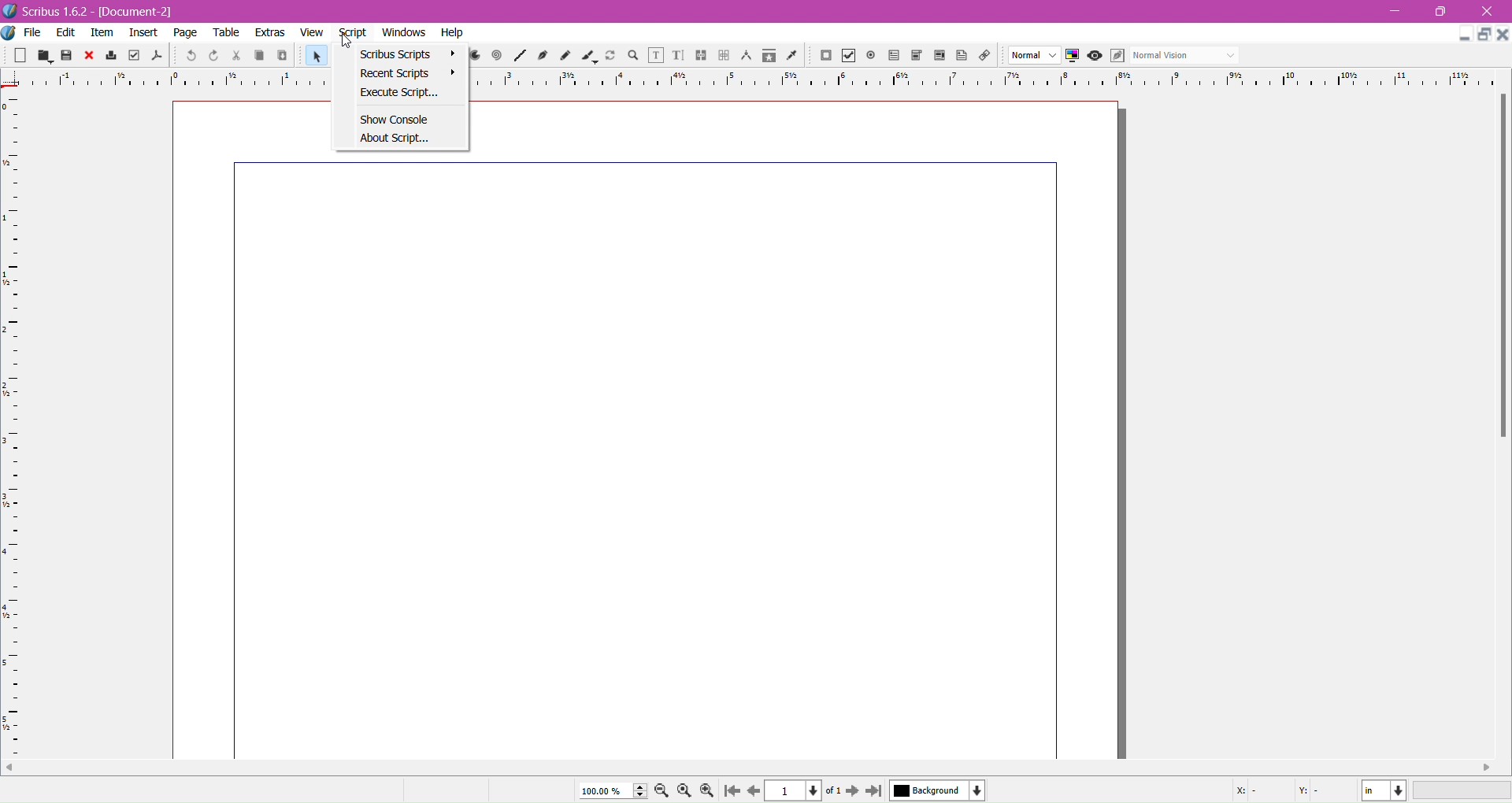 The image size is (1512, 803). I want to click on Zoom and Pan, so click(632, 56).